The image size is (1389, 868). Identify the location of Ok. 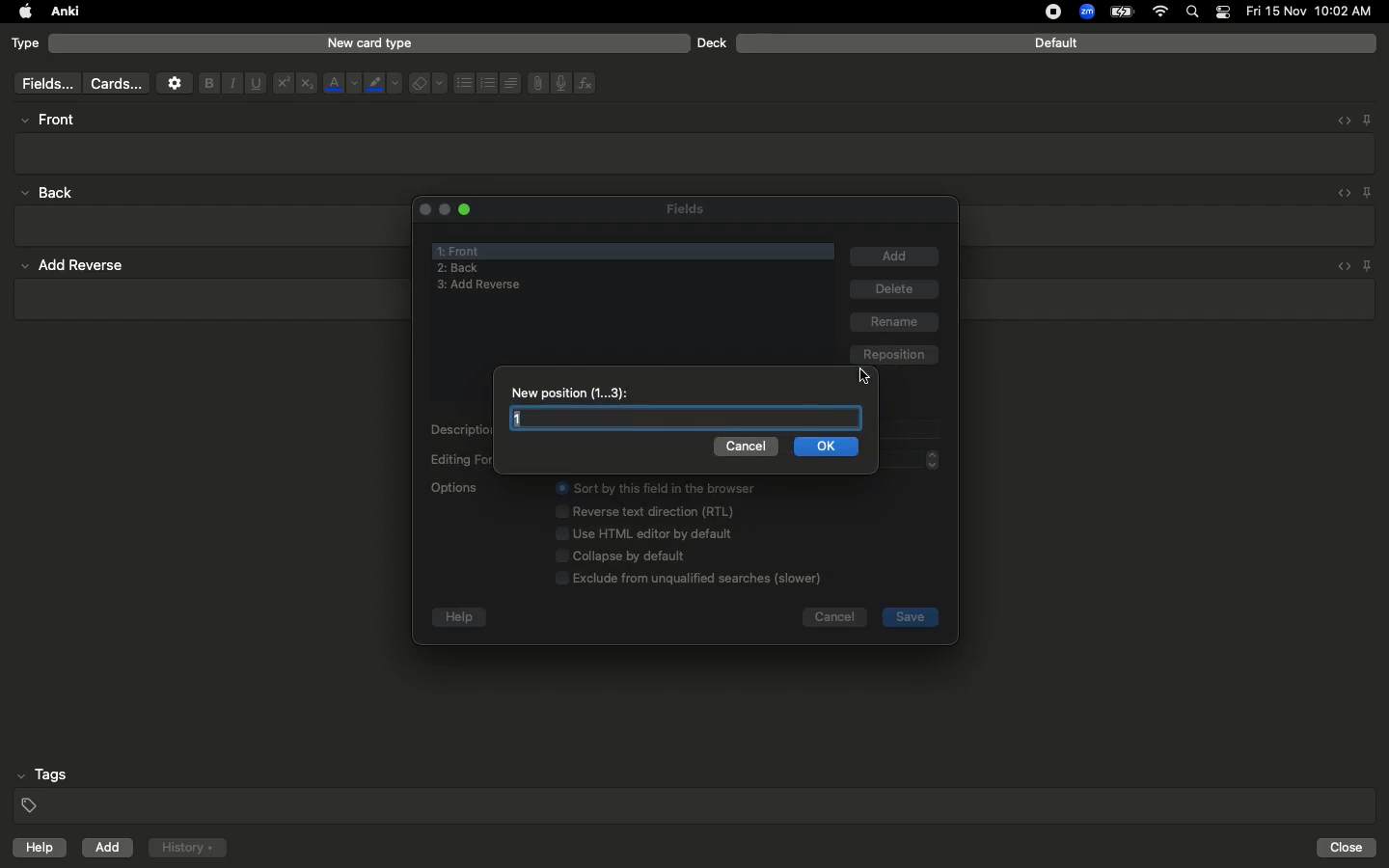
(829, 446).